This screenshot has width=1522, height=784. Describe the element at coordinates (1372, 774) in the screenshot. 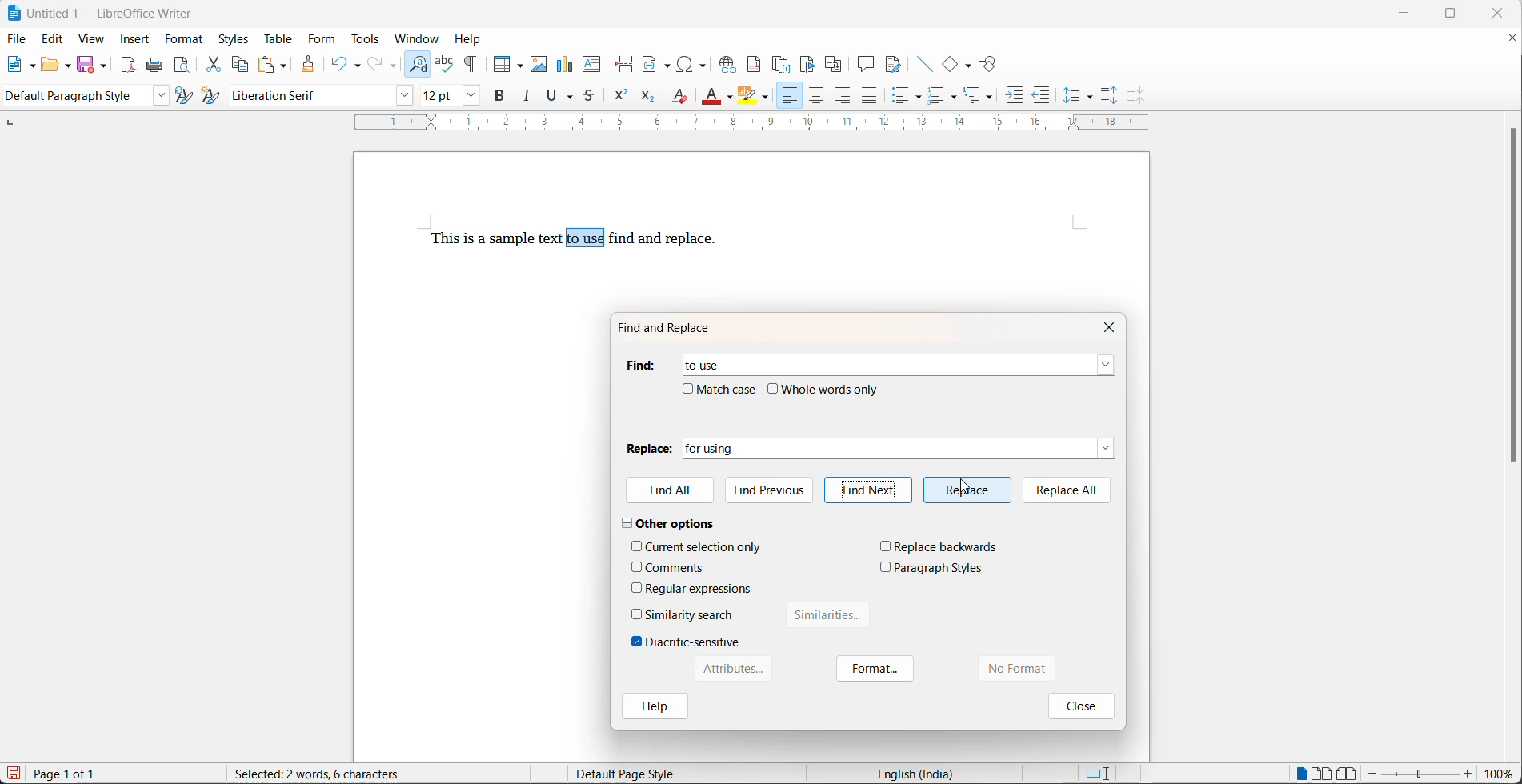

I see `decrease zoom` at that location.